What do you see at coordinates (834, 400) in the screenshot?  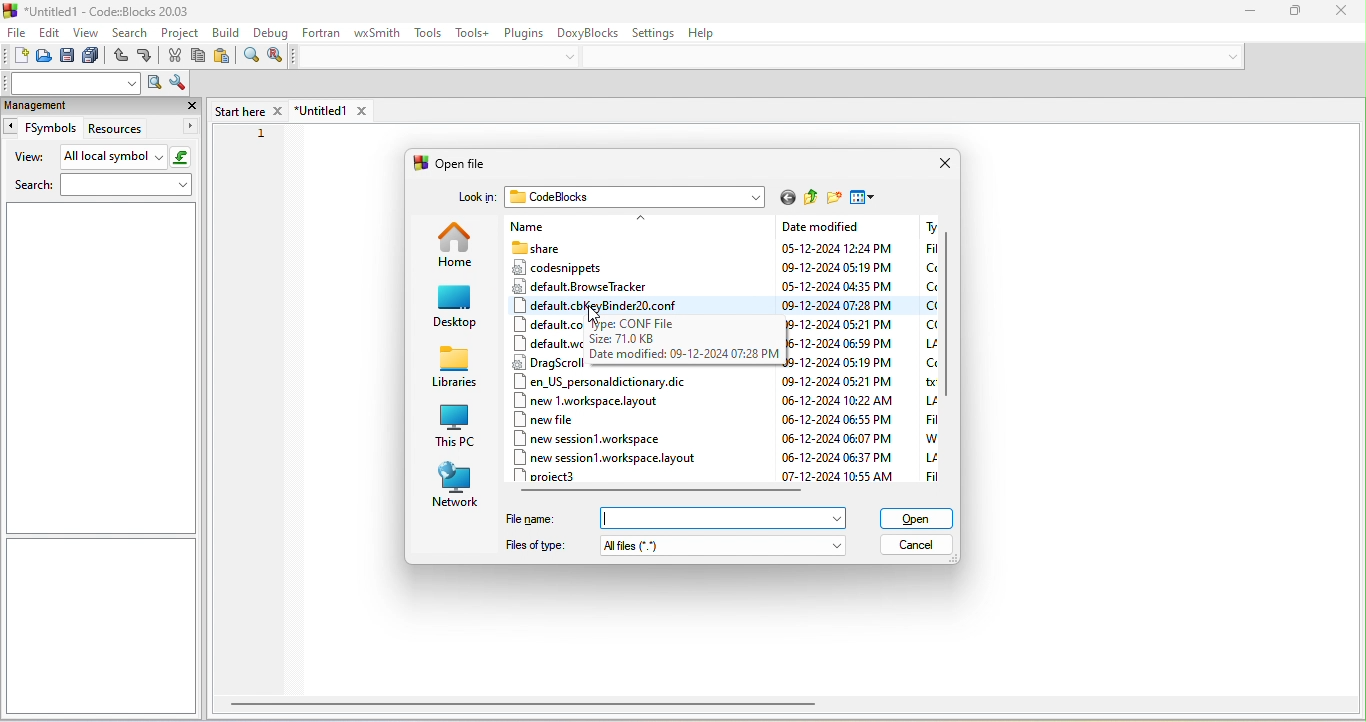 I see `date` at bounding box center [834, 400].